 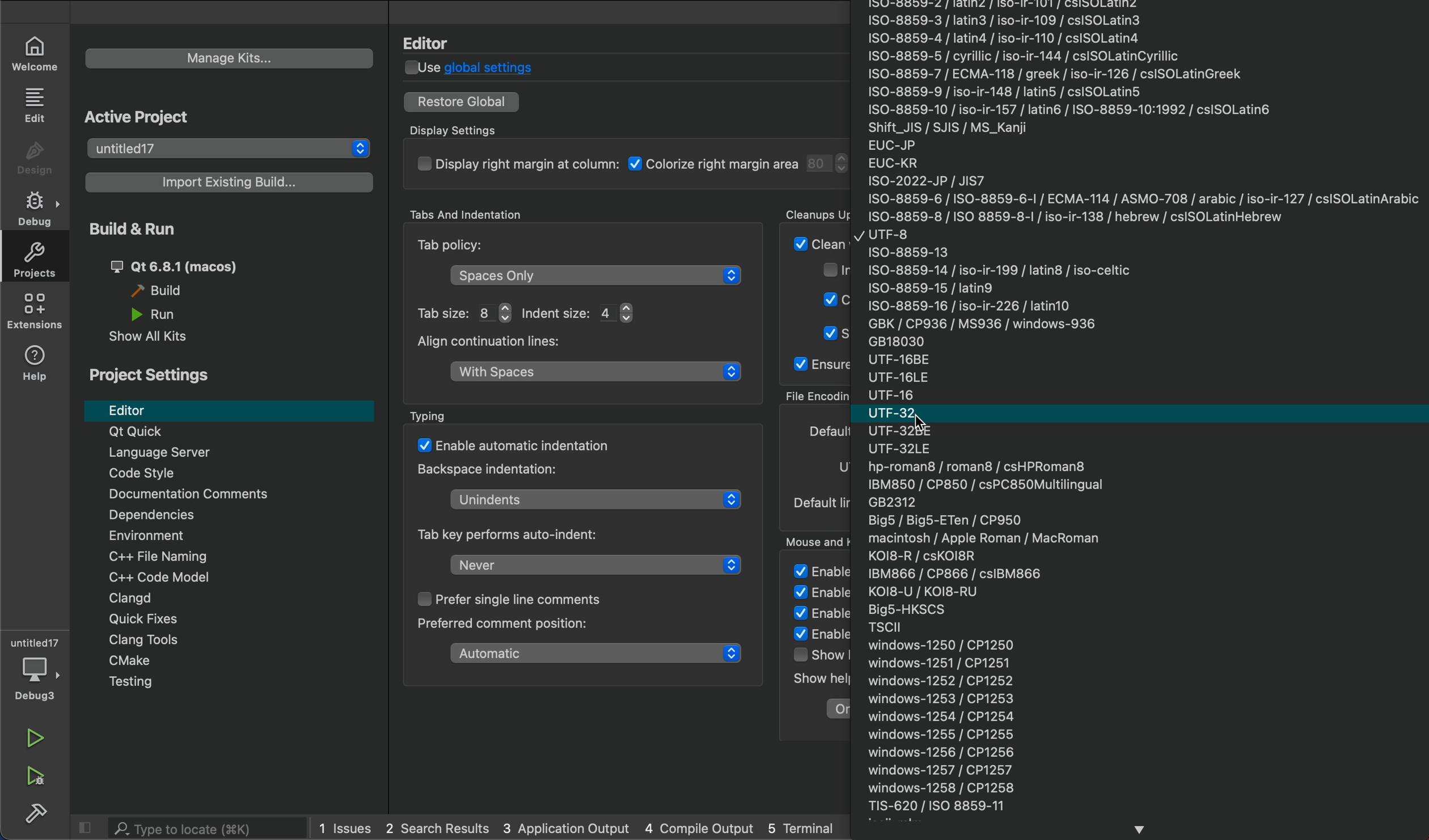 I want to click on encoding types, so click(x=1144, y=419).